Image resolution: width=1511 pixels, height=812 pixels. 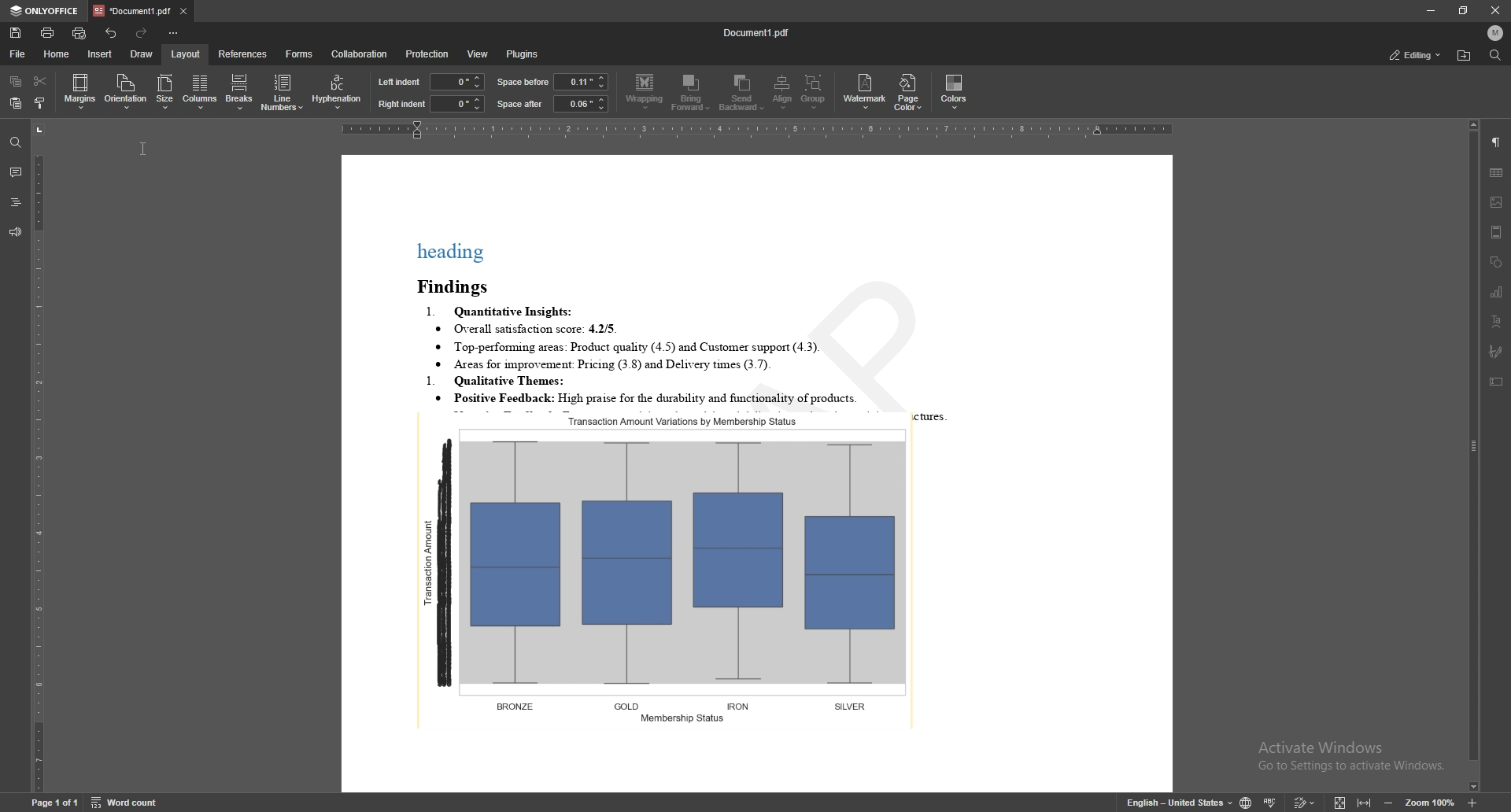 I want to click on file, so click(x=20, y=54).